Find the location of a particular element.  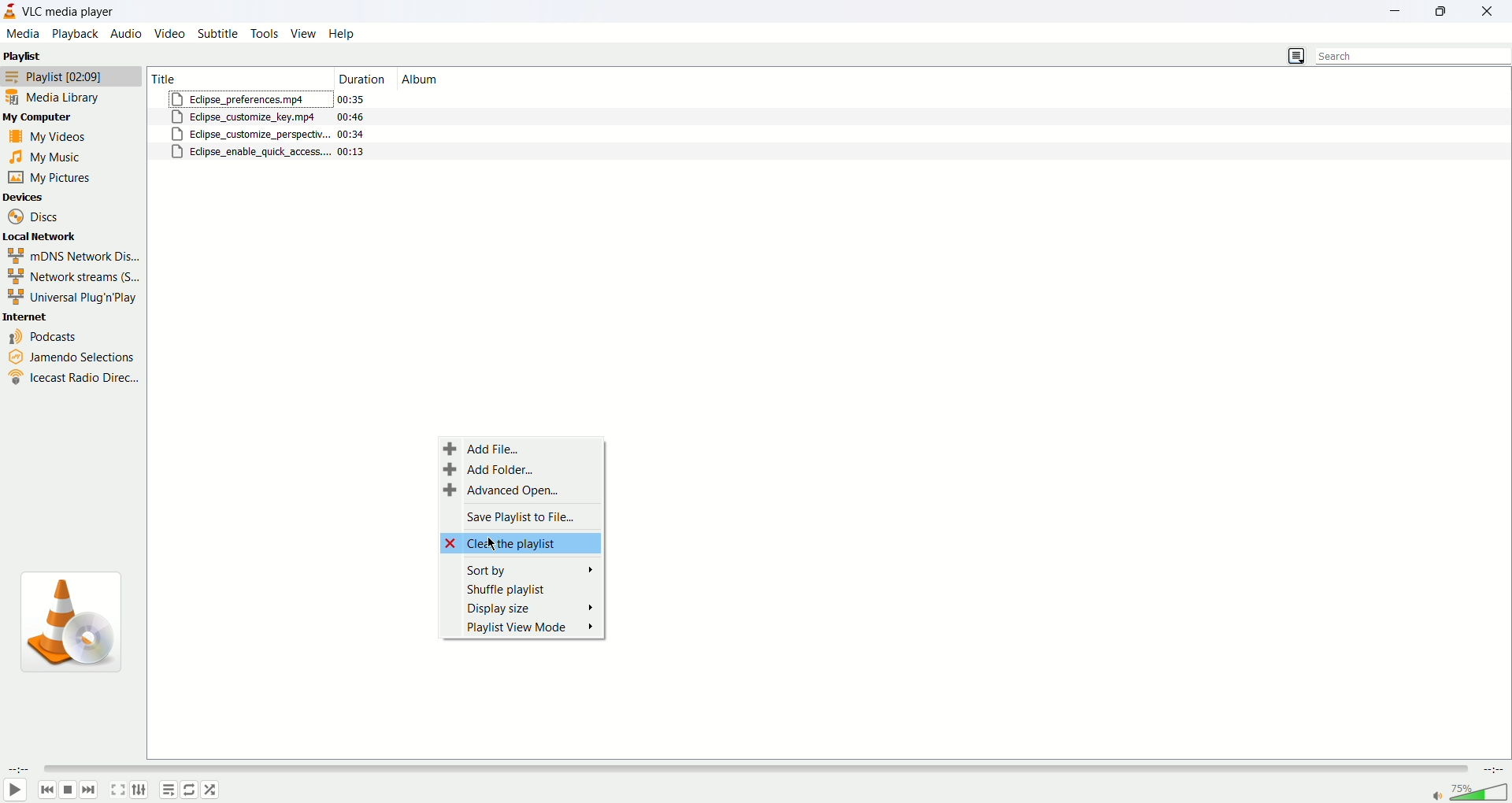

my computer is located at coordinates (74, 118).